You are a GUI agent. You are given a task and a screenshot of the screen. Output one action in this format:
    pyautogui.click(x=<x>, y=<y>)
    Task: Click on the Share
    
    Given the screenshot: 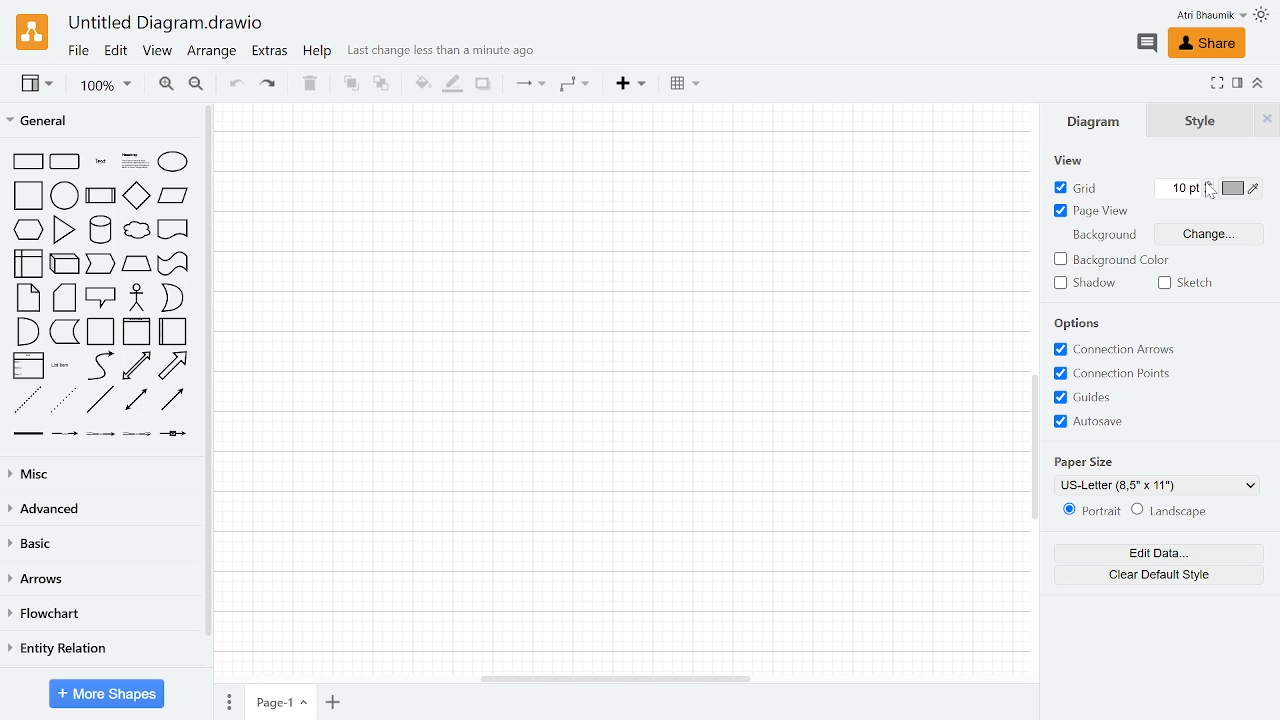 What is the action you would take?
    pyautogui.click(x=1210, y=44)
    